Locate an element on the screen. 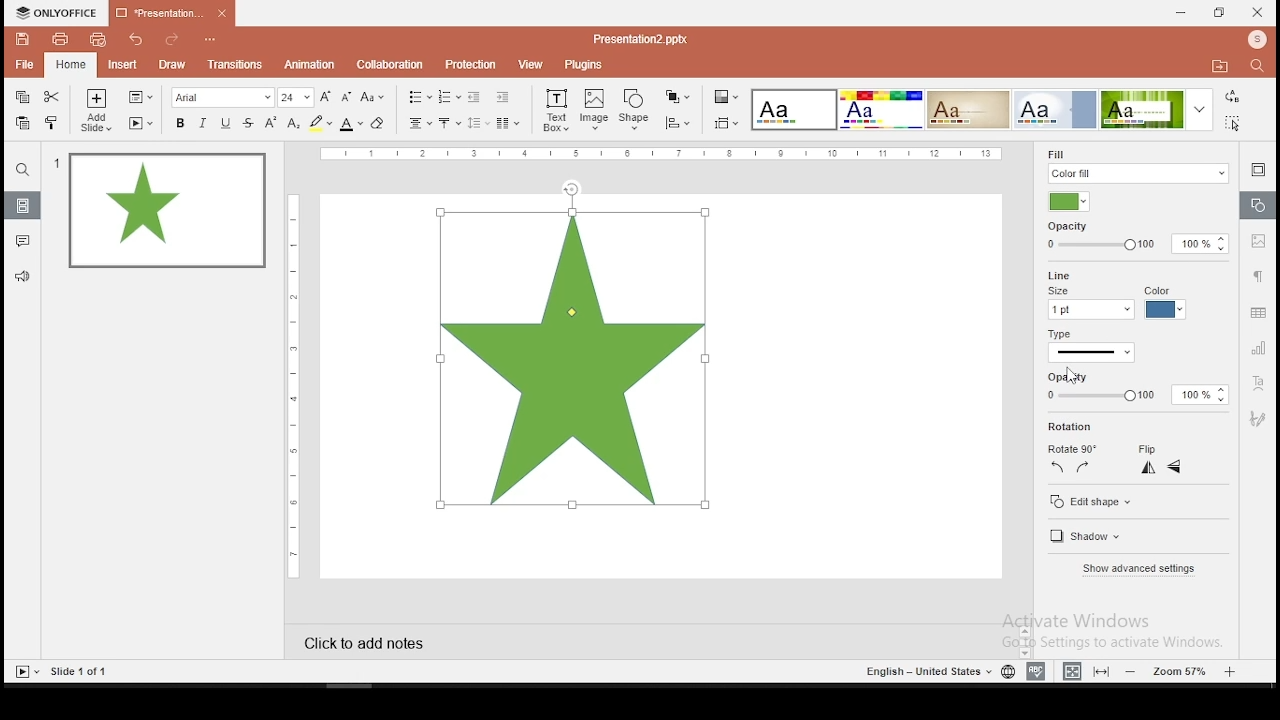 This screenshot has height=720, width=1280. paste is located at coordinates (22, 123).